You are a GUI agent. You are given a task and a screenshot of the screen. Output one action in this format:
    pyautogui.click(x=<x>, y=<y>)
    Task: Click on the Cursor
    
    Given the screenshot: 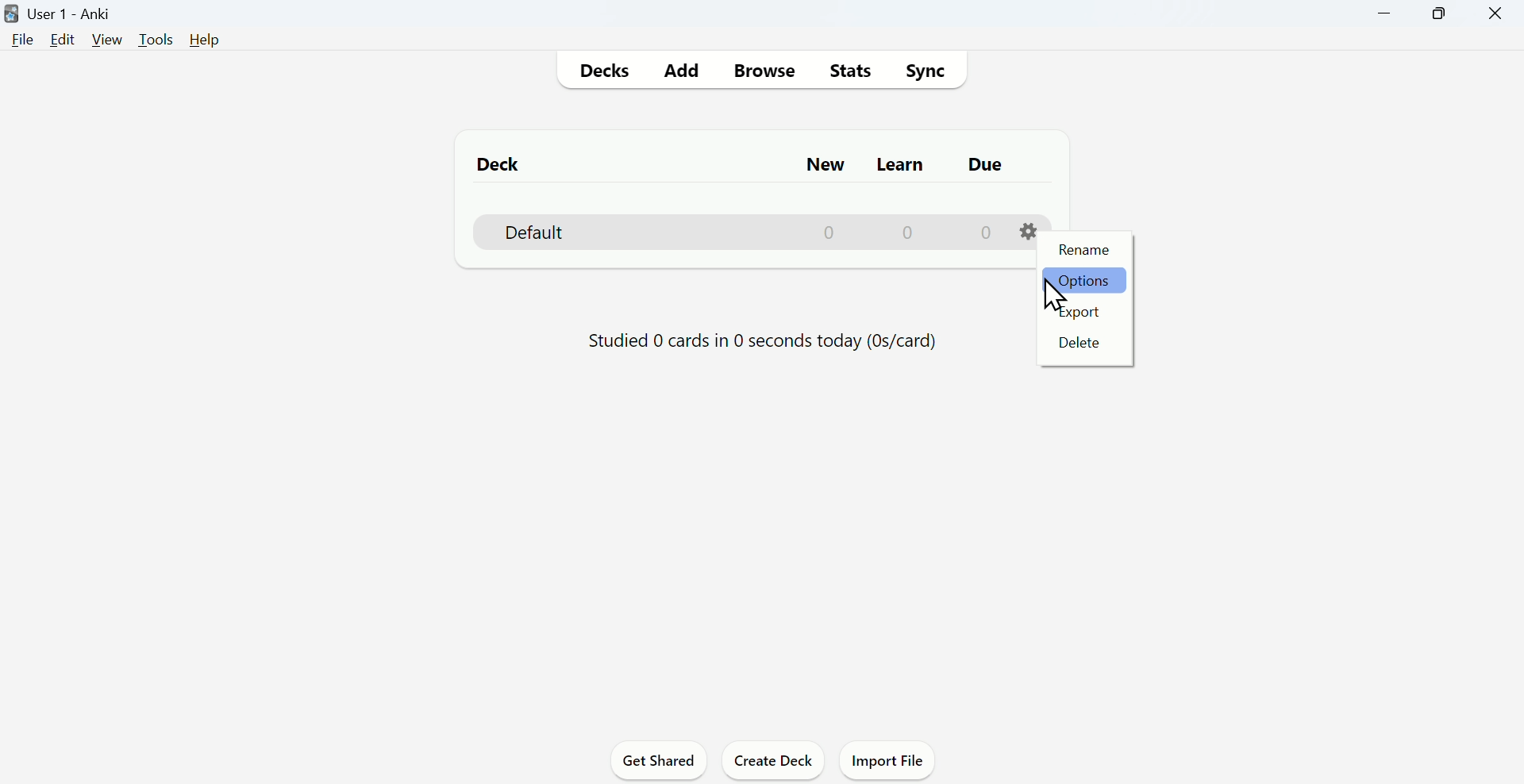 What is the action you would take?
    pyautogui.click(x=1051, y=294)
    